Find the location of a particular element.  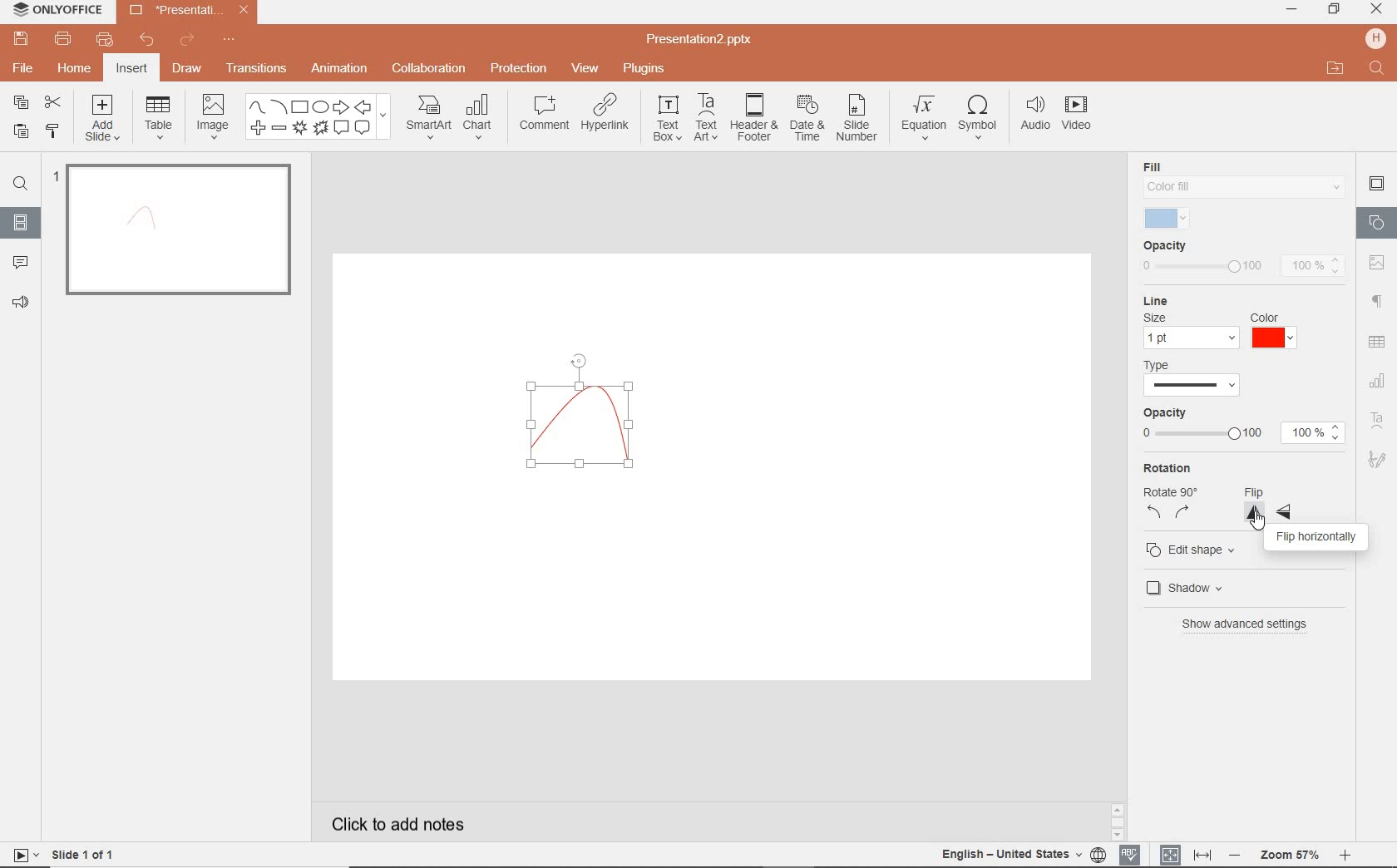

TABLE is located at coordinates (159, 119).